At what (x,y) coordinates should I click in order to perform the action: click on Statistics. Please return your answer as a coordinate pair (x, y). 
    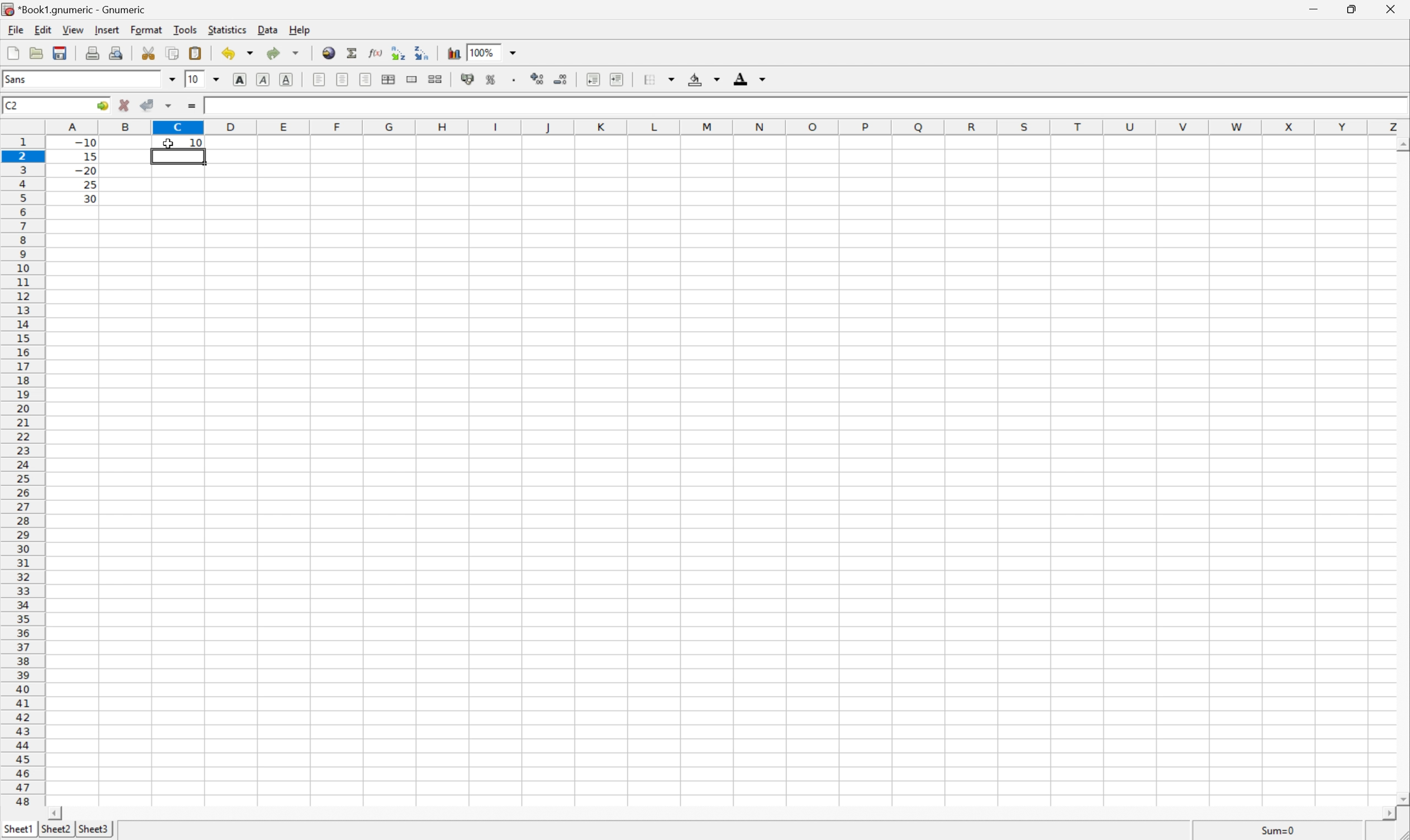
    Looking at the image, I should click on (226, 30).